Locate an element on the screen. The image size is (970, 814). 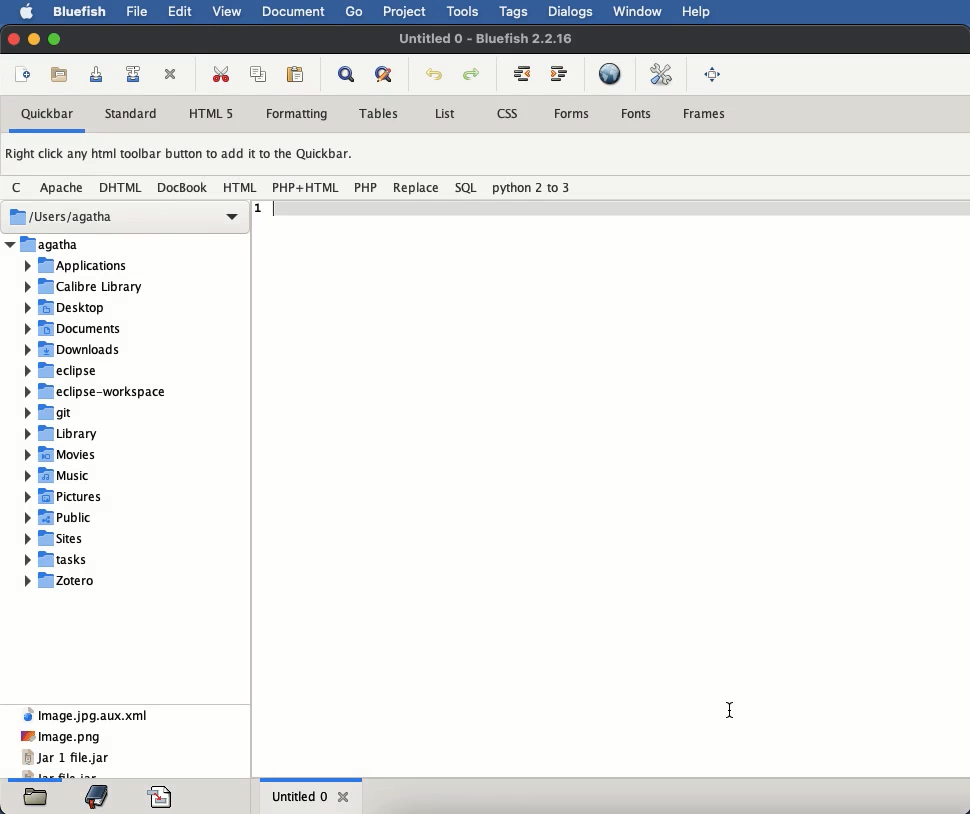
new file is located at coordinates (24, 77).